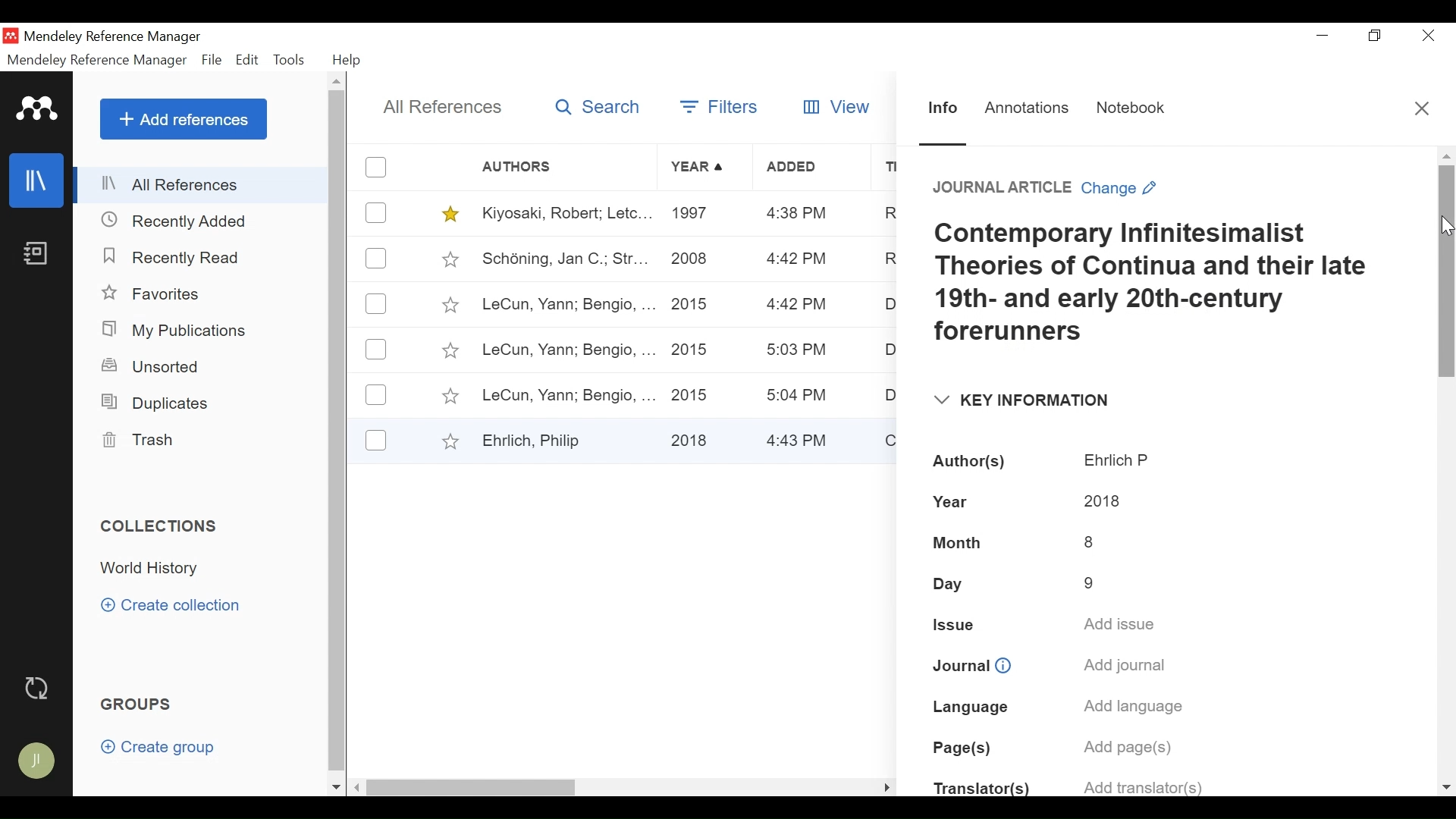  What do you see at coordinates (113, 38) in the screenshot?
I see `Mendeley Reference Manager` at bounding box center [113, 38].